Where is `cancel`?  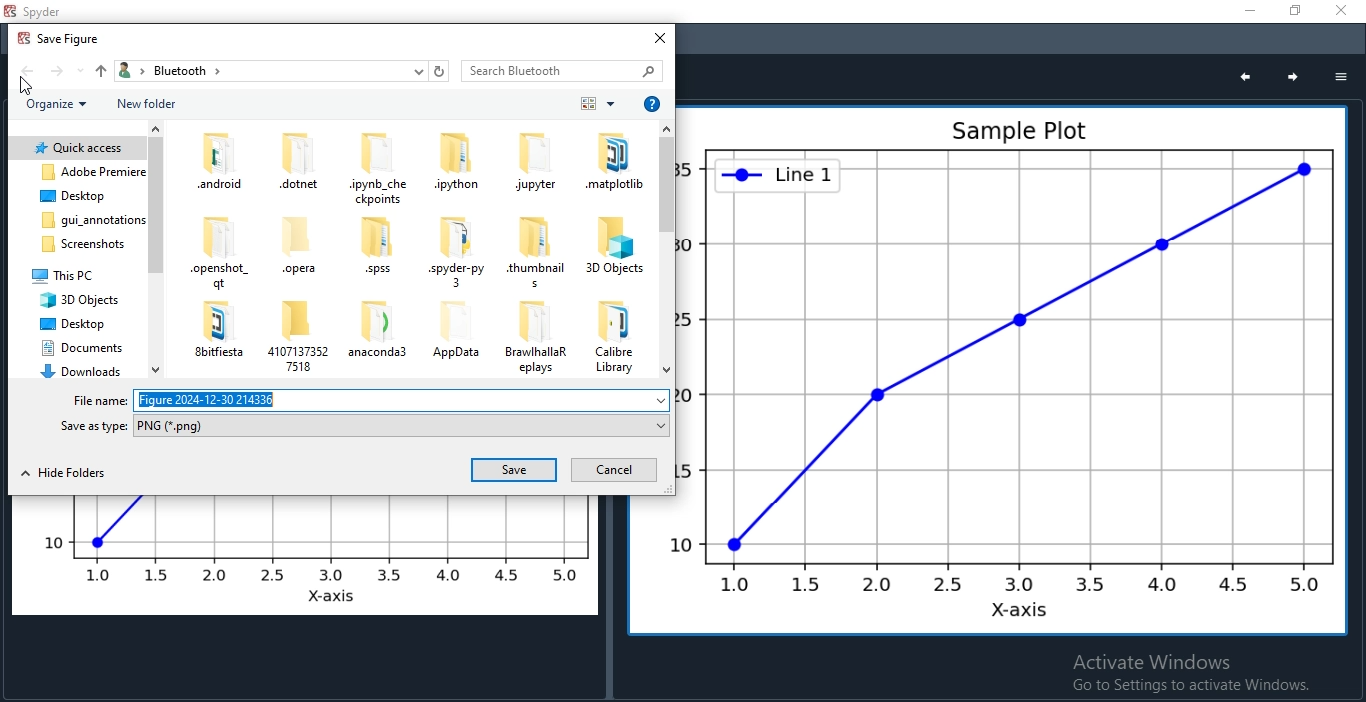 cancel is located at coordinates (616, 470).